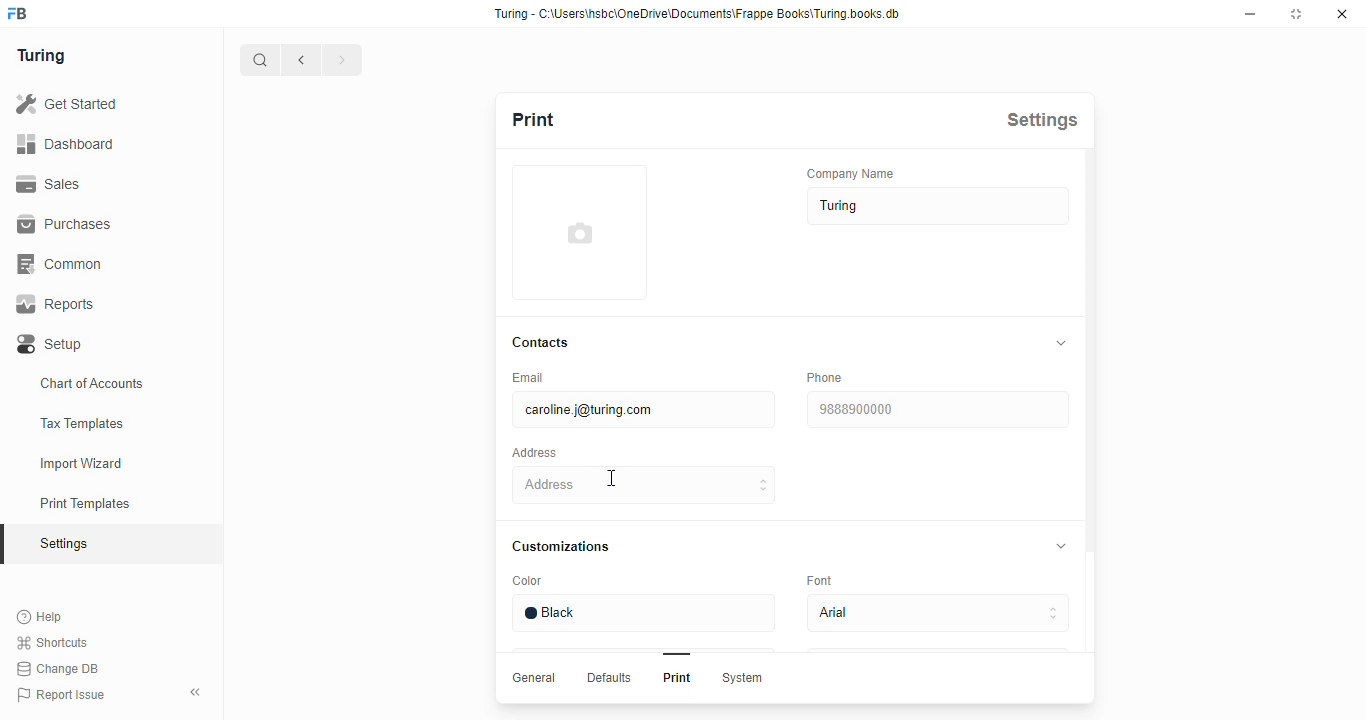 This screenshot has width=1366, height=720. I want to click on turing, so click(40, 55).